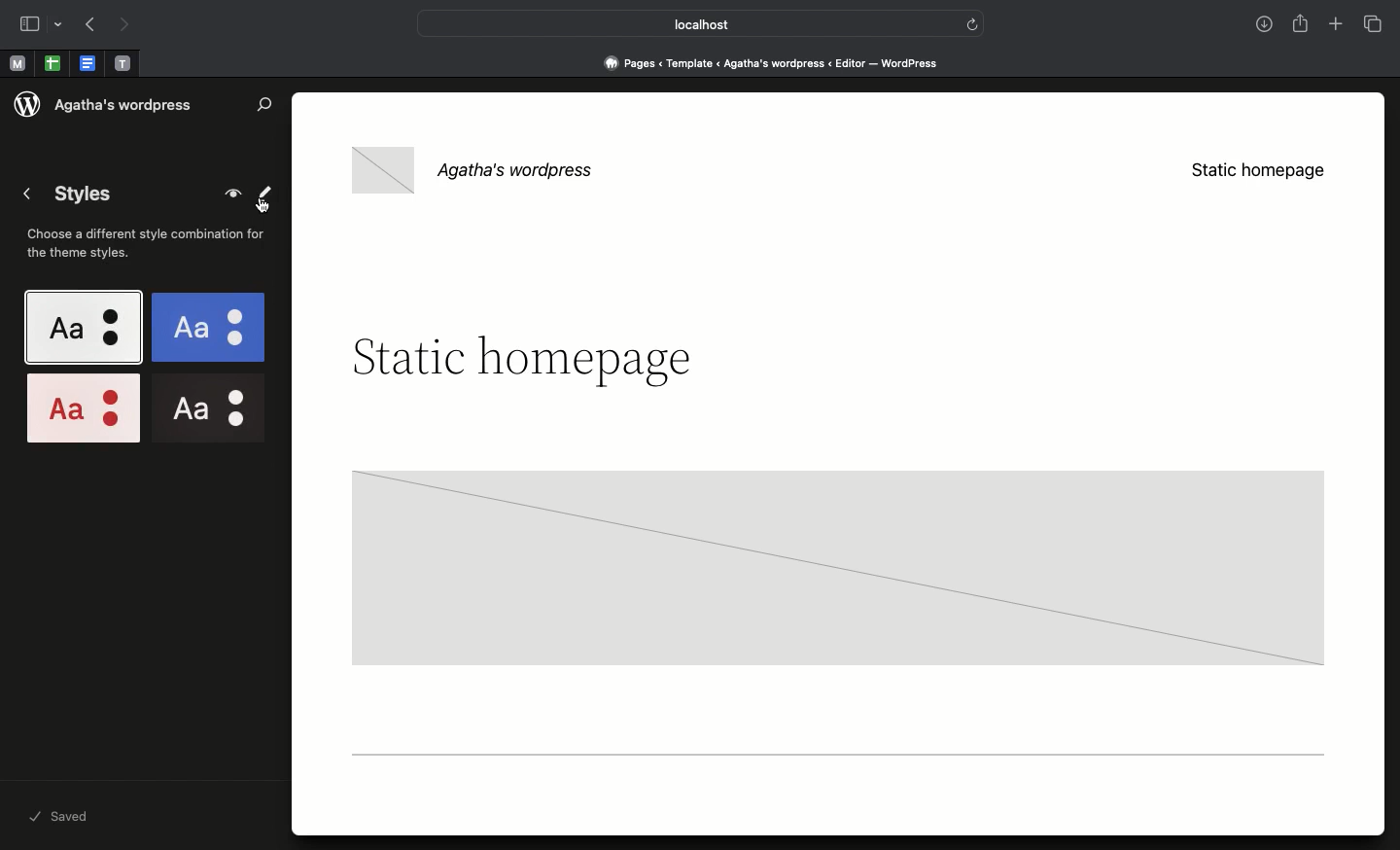 The height and width of the screenshot is (850, 1400). What do you see at coordinates (88, 26) in the screenshot?
I see `Previous page` at bounding box center [88, 26].